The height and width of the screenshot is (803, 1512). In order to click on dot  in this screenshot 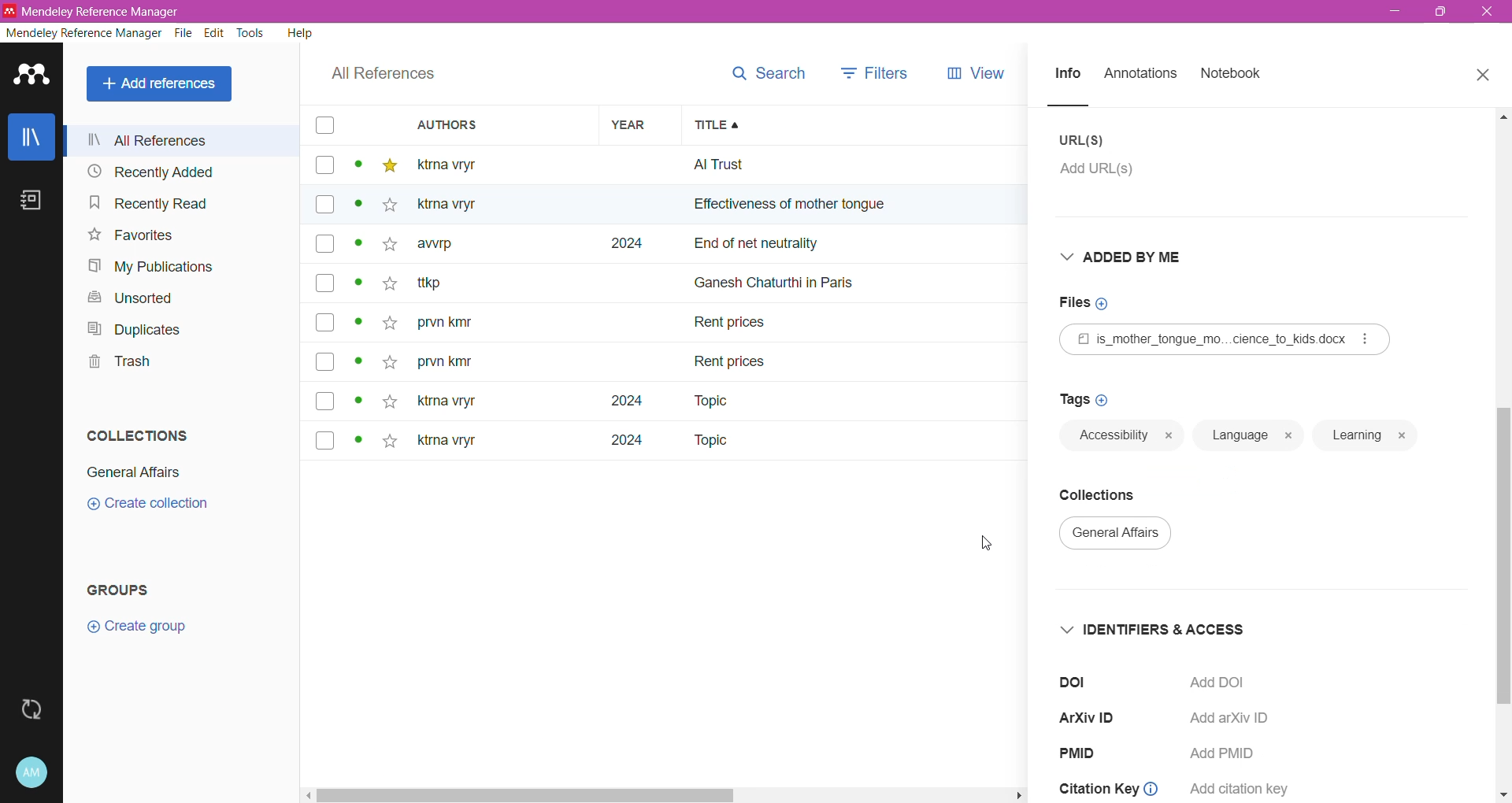, I will do `click(360, 401)`.